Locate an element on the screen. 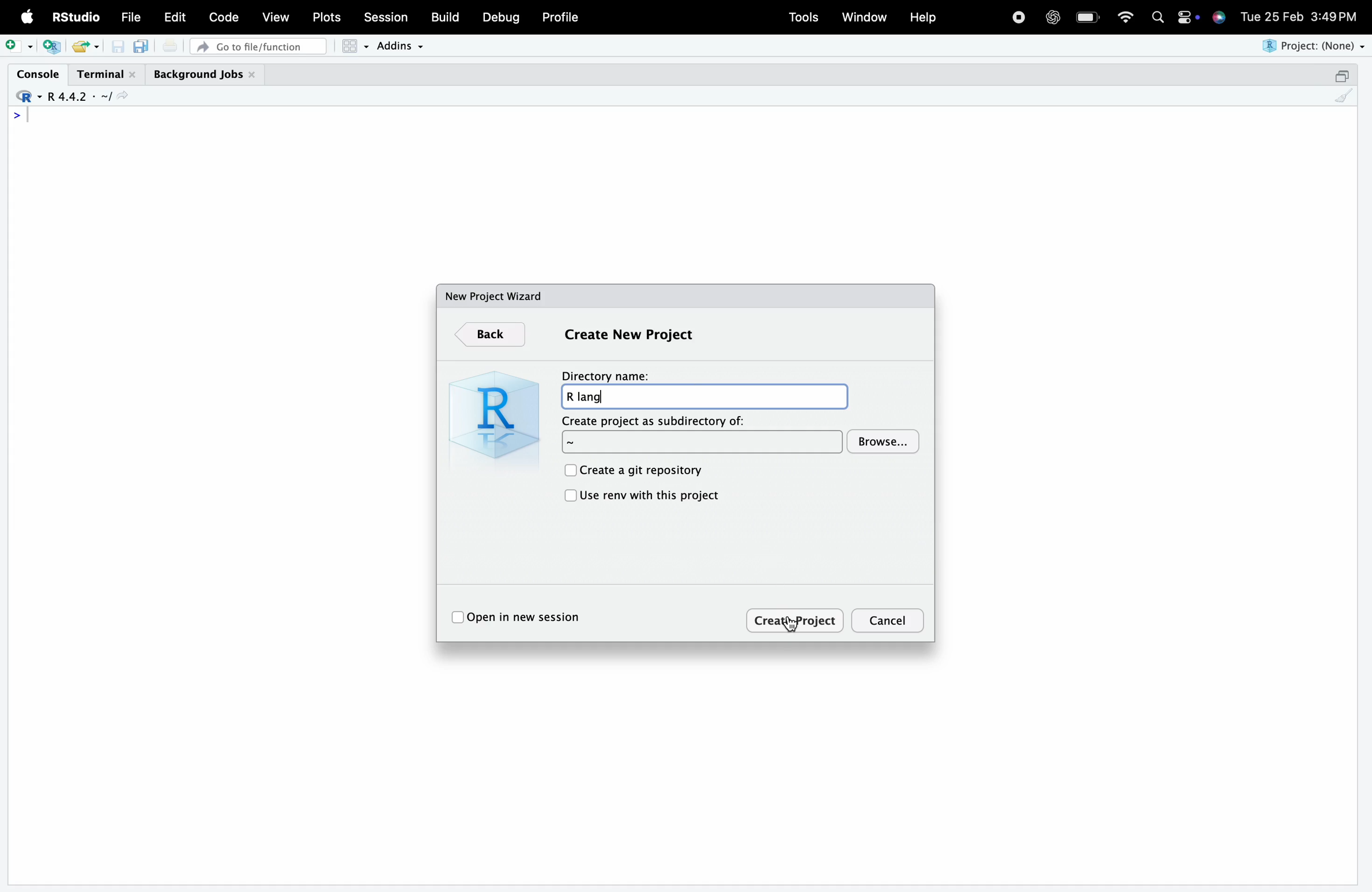 This screenshot has height=892, width=1372. R is located at coordinates (27, 97).